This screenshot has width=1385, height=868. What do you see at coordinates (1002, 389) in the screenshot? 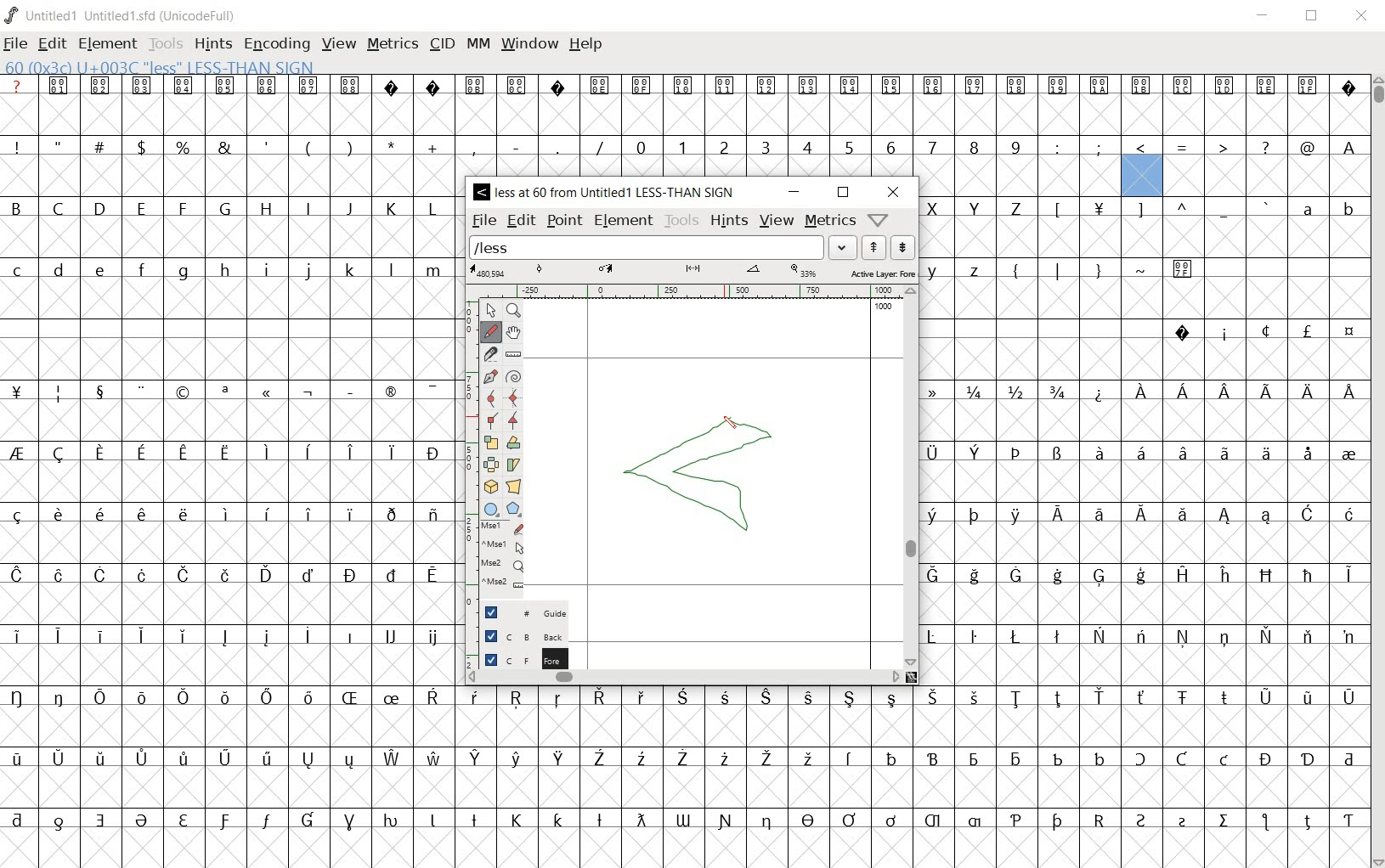
I see `fractions ` at bounding box center [1002, 389].